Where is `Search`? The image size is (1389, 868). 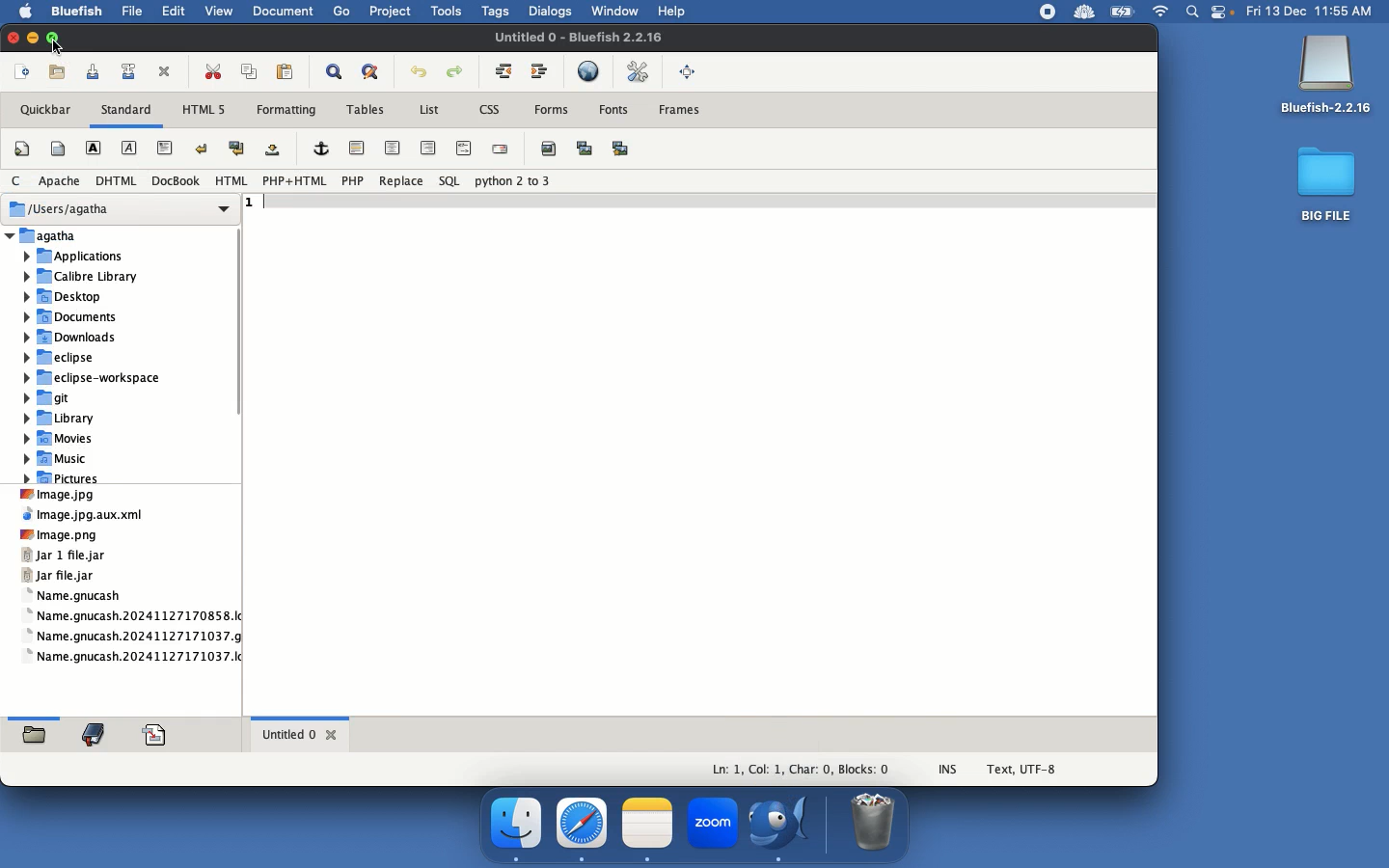
Search is located at coordinates (1193, 14).